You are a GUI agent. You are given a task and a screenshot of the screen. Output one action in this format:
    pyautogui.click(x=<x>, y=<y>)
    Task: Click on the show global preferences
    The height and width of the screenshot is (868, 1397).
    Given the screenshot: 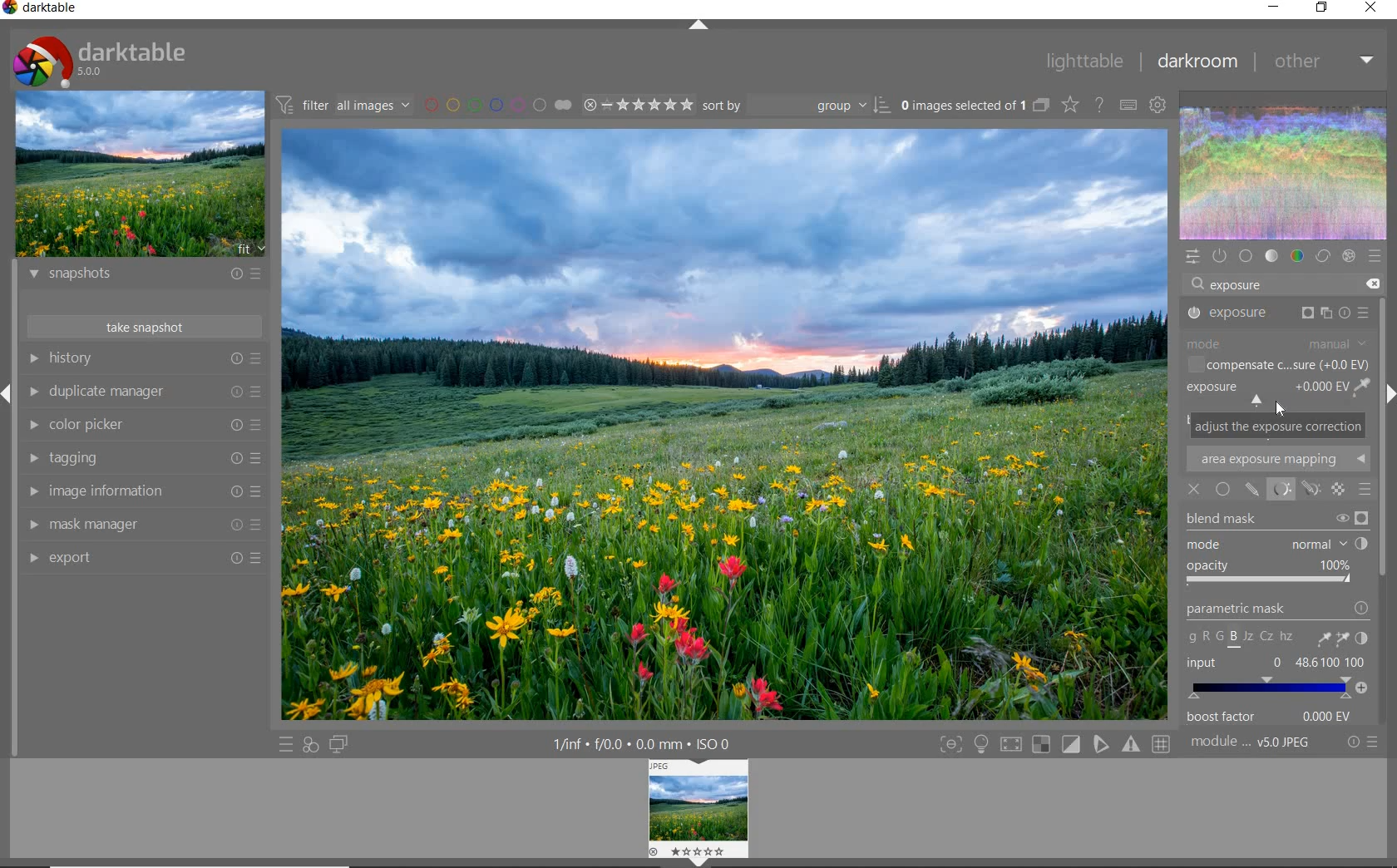 What is the action you would take?
    pyautogui.click(x=1158, y=106)
    